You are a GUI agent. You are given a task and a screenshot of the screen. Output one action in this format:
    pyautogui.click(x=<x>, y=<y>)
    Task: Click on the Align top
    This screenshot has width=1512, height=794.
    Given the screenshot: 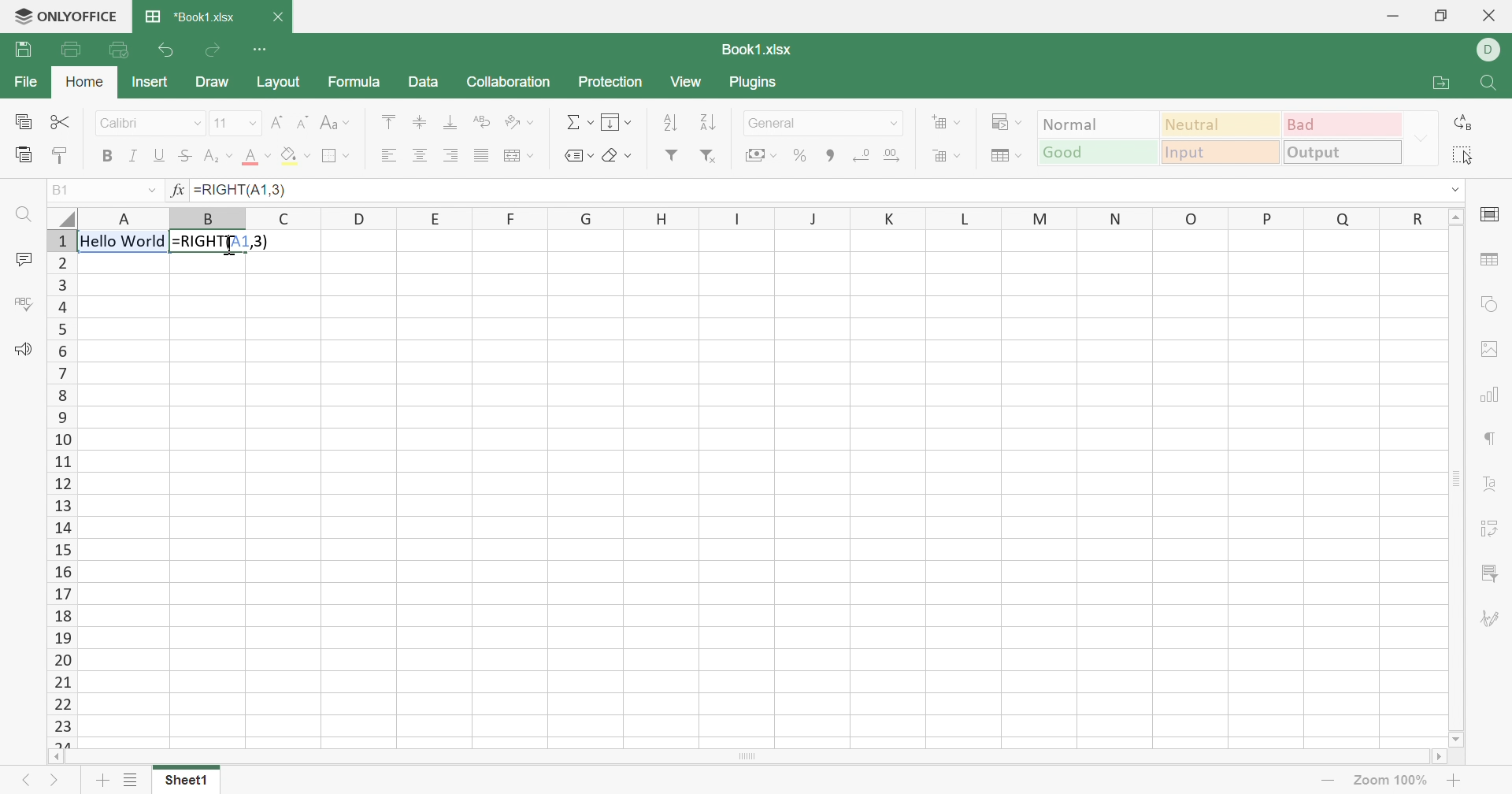 What is the action you would take?
    pyautogui.click(x=391, y=121)
    